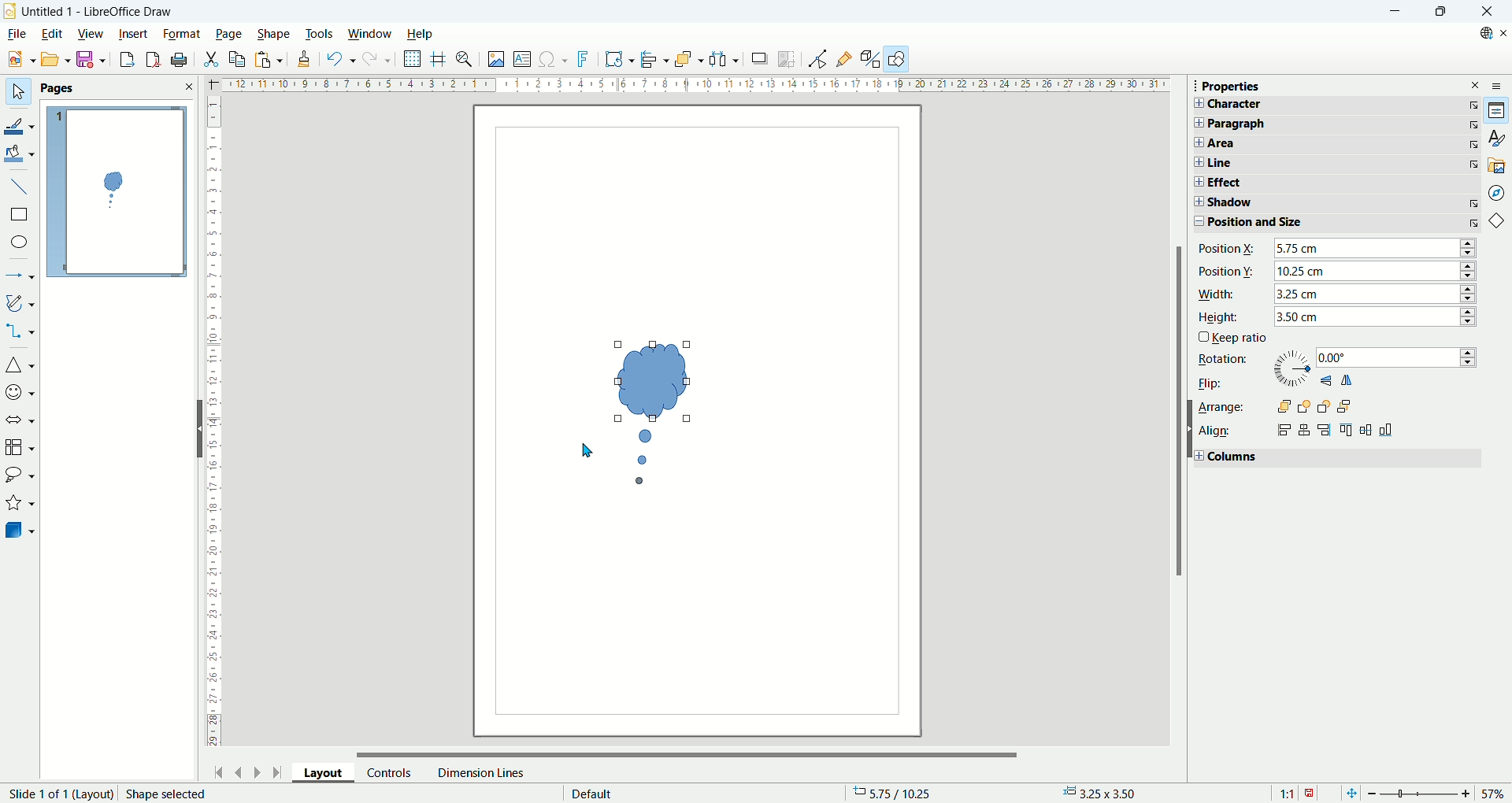 This screenshot has width=1512, height=803. I want to click on Bottom, so click(1387, 430).